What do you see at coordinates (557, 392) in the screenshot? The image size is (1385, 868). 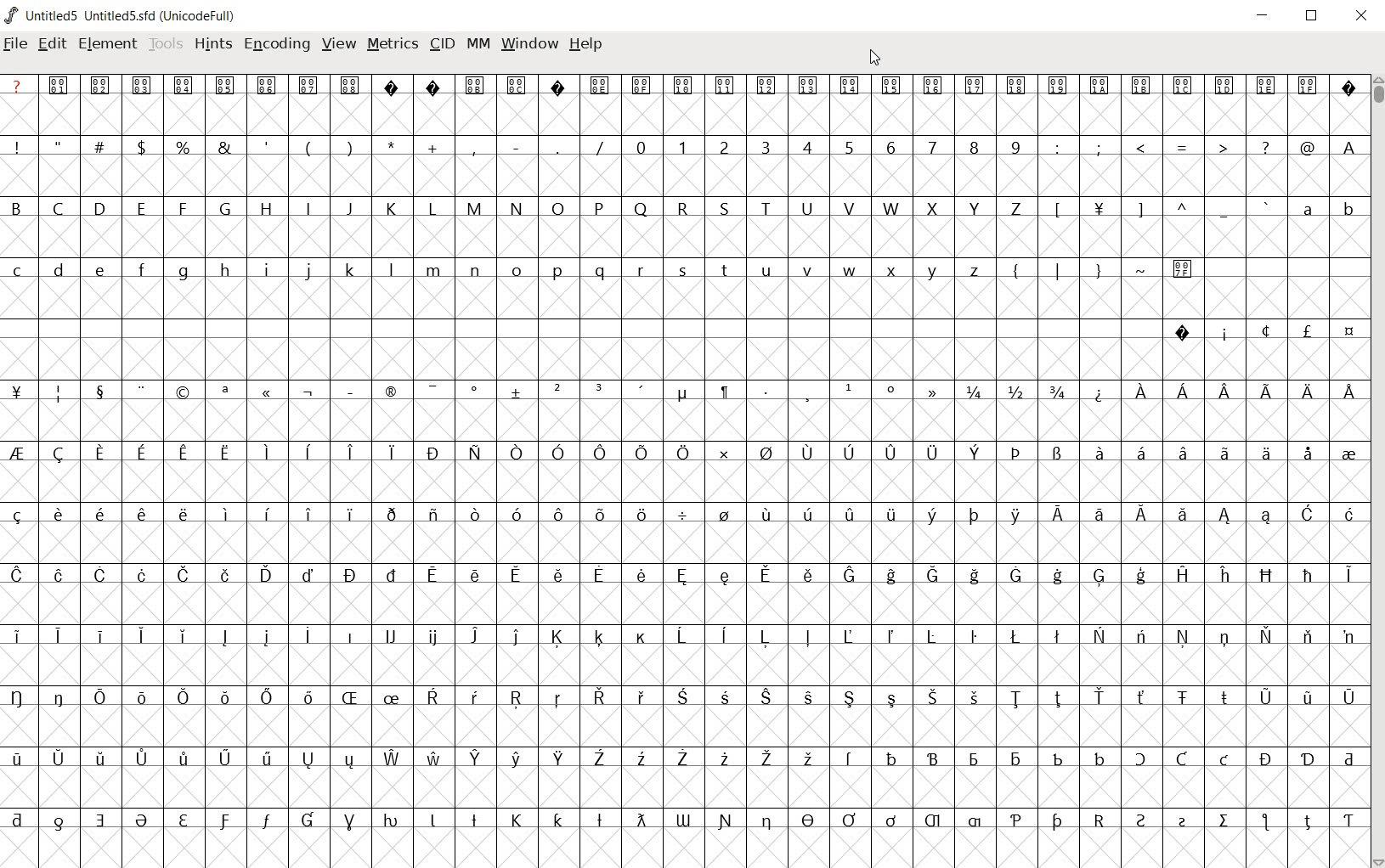 I see `Symbol` at bounding box center [557, 392].